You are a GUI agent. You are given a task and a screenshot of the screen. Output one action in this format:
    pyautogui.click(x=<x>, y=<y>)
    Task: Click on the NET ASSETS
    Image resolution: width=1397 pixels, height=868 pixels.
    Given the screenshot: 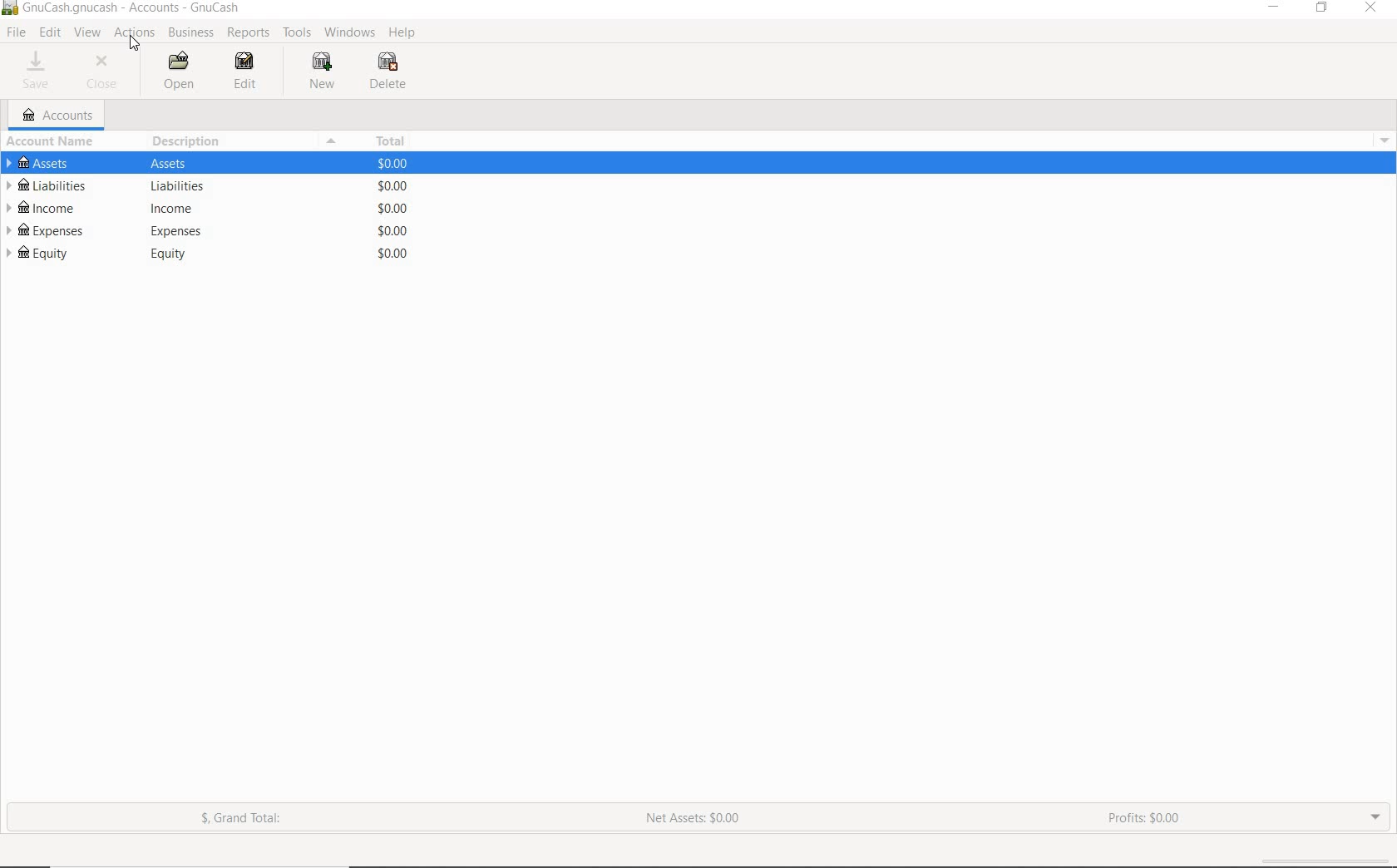 What is the action you would take?
    pyautogui.click(x=696, y=821)
    